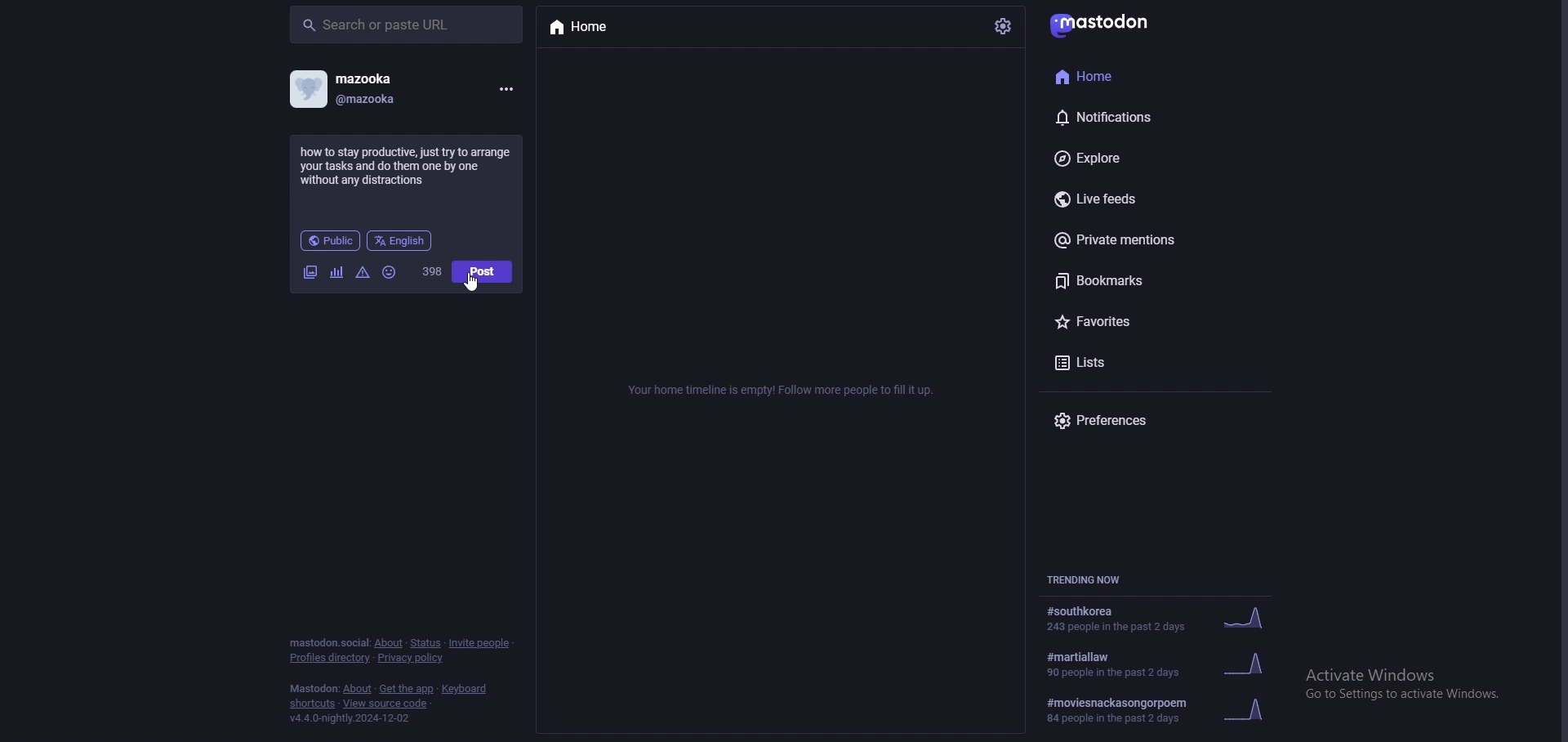  Describe the element at coordinates (310, 88) in the screenshot. I see `profile picture` at that location.